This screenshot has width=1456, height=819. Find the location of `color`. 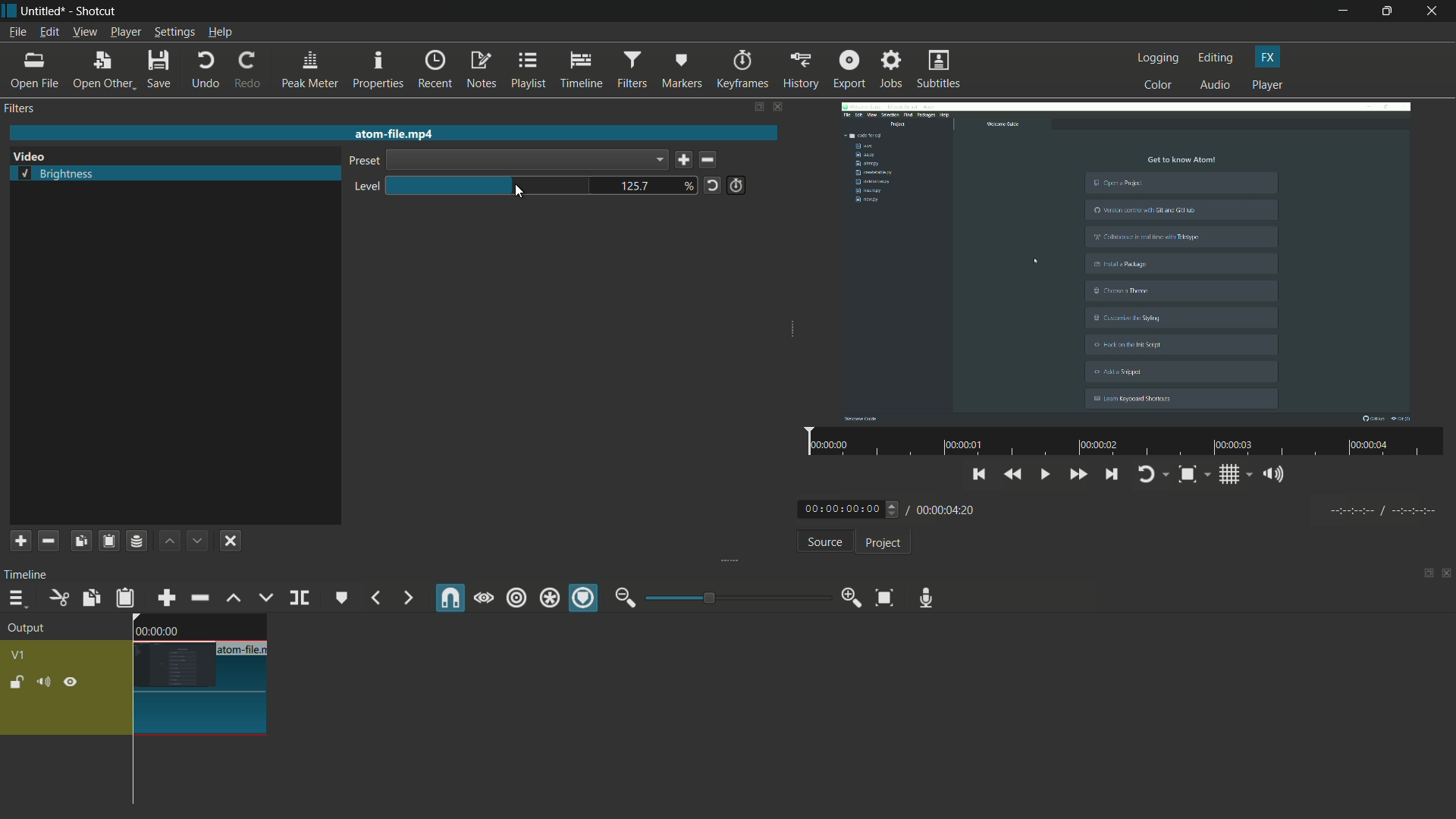

color is located at coordinates (1159, 84).